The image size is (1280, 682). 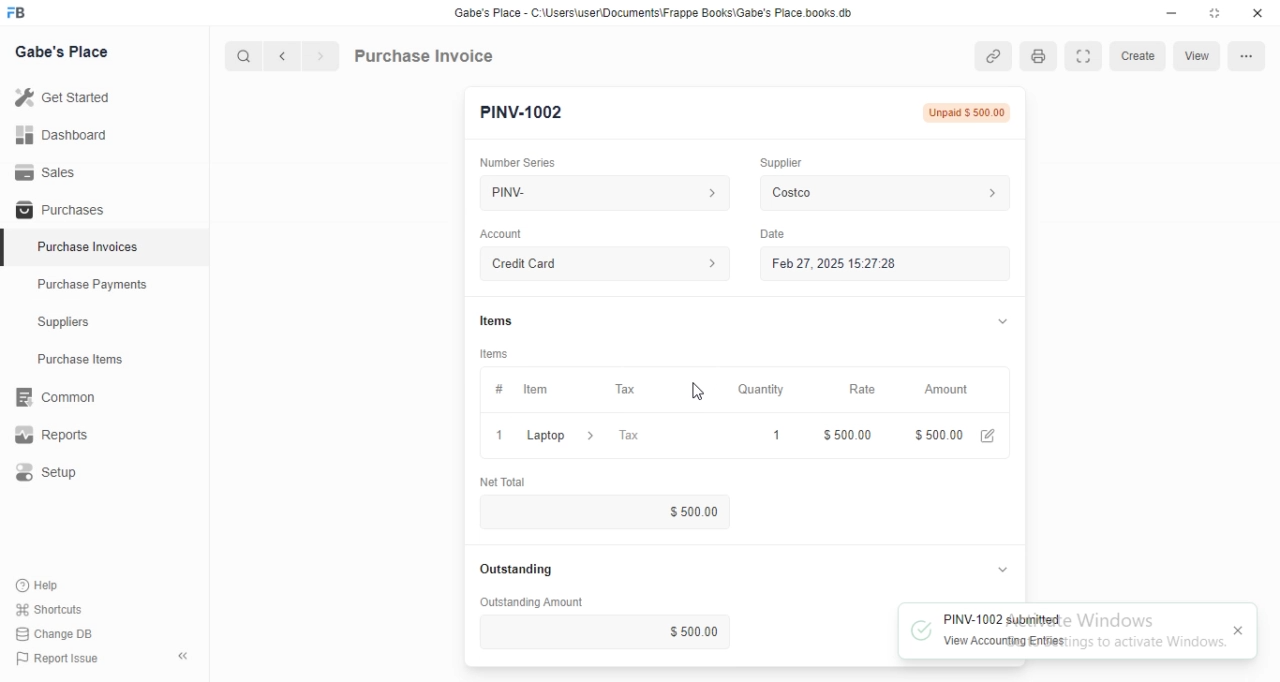 I want to click on PINV-, so click(x=605, y=193).